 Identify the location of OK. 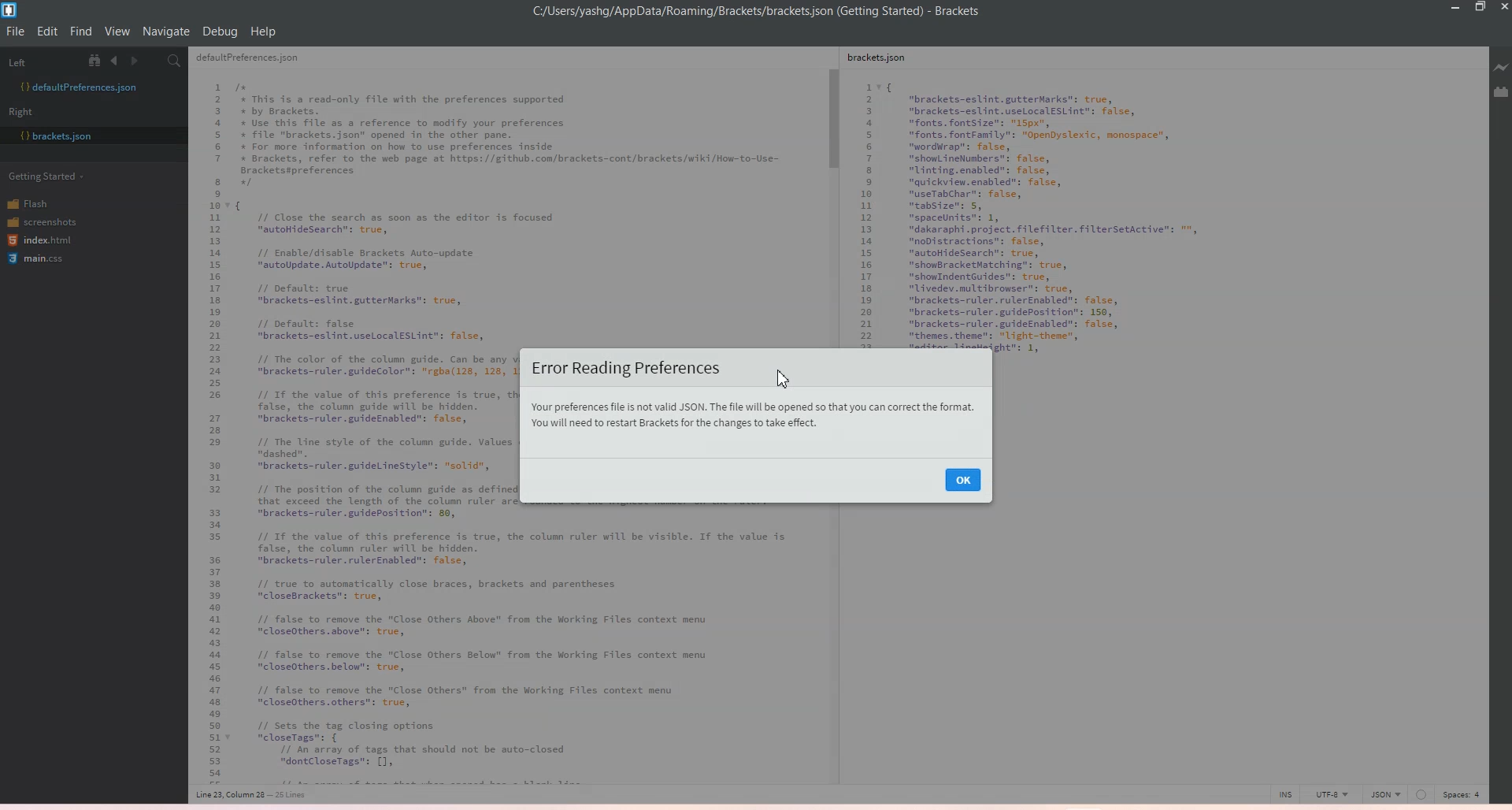
(963, 479).